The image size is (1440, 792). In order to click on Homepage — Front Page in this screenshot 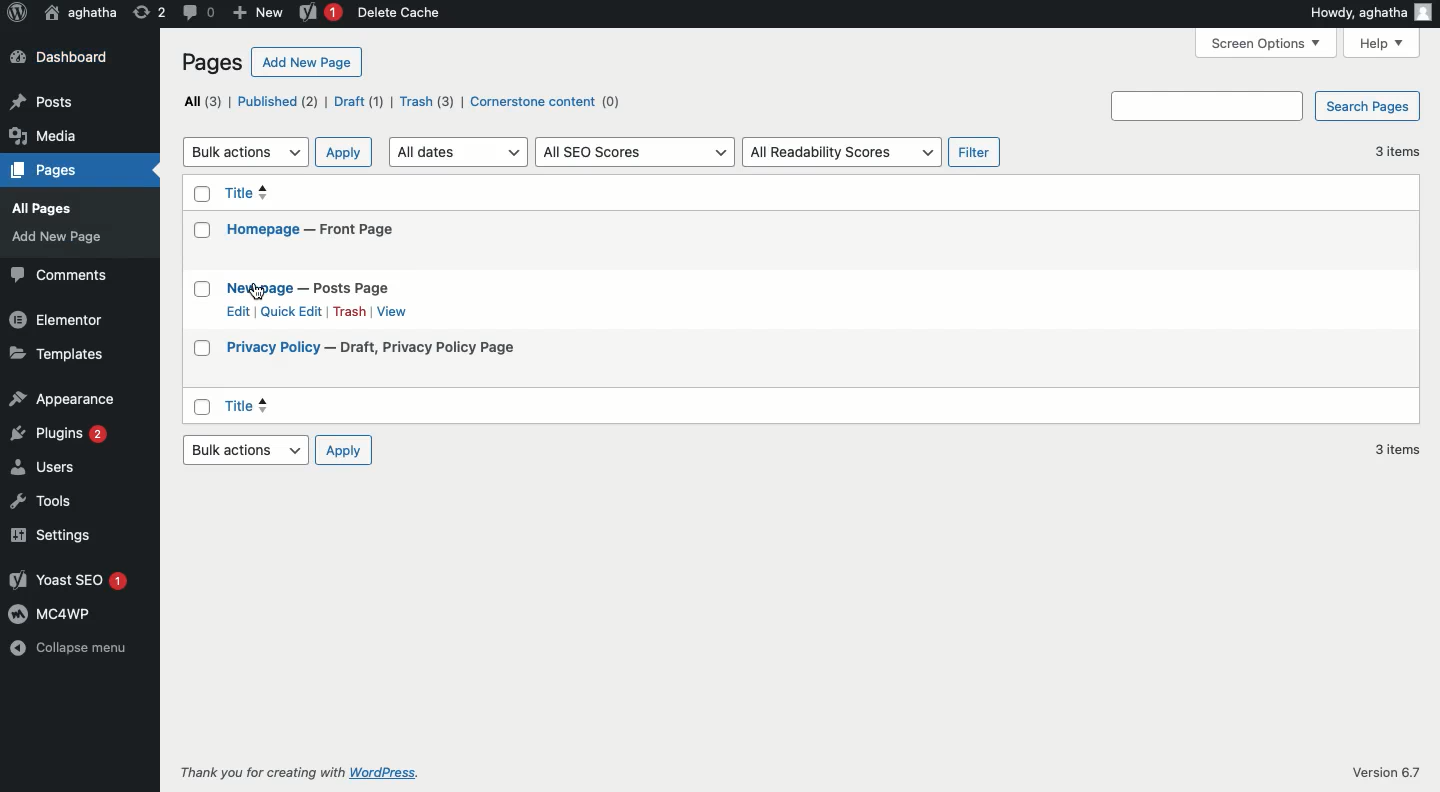, I will do `click(314, 229)`.